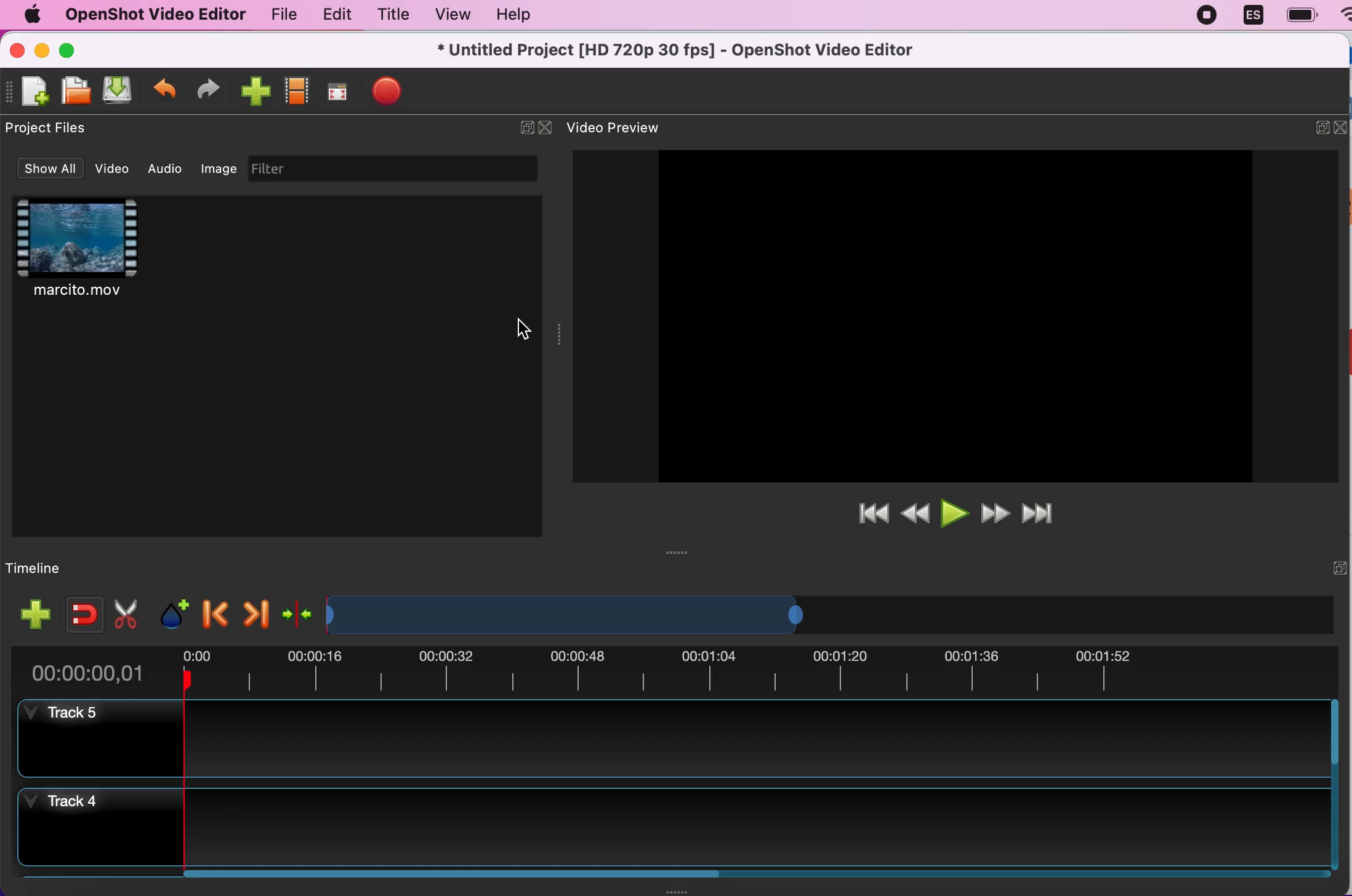 The height and width of the screenshot is (896, 1352). Describe the element at coordinates (257, 90) in the screenshot. I see `import files` at that location.